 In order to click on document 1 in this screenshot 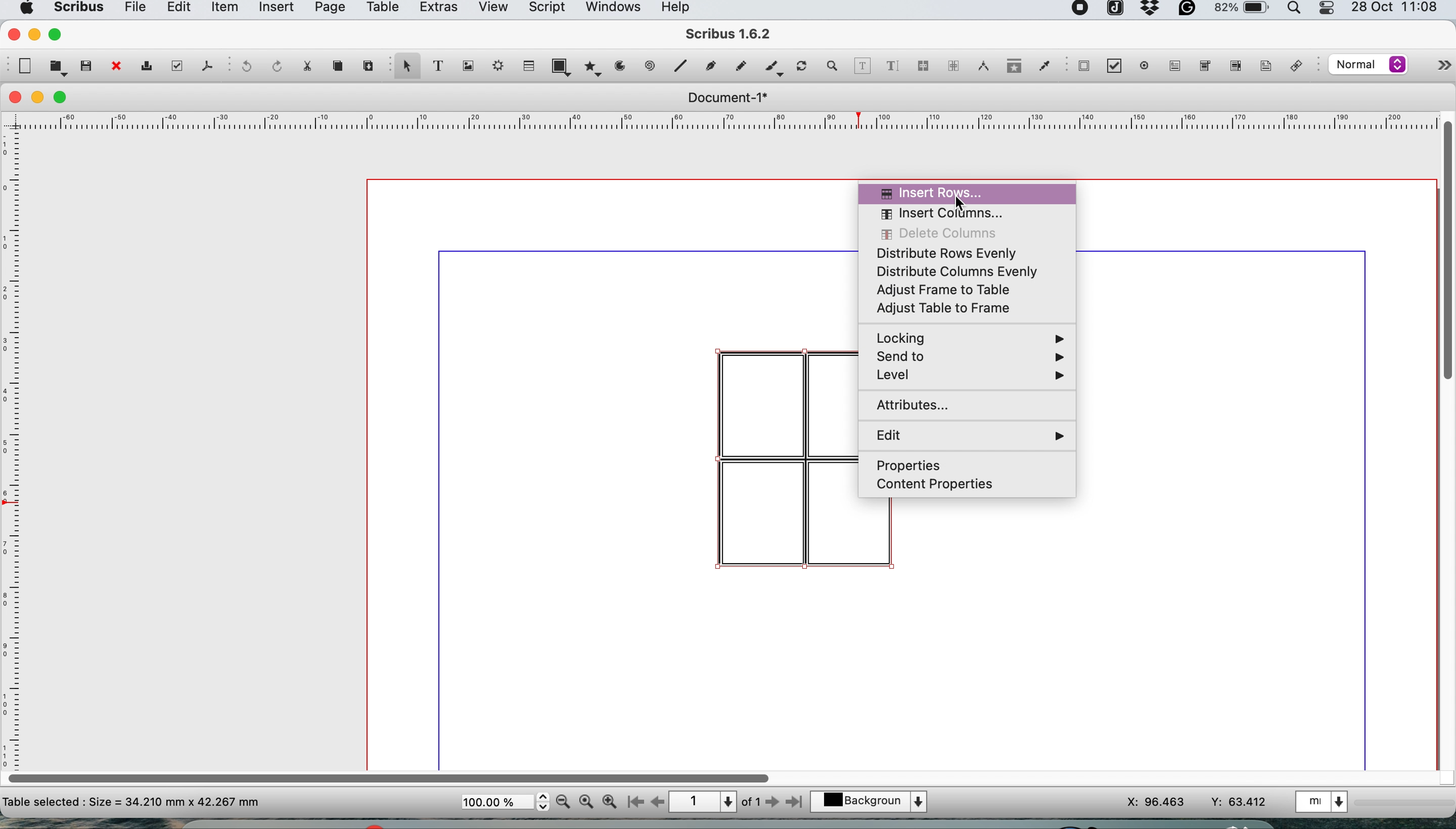, I will do `click(727, 98)`.